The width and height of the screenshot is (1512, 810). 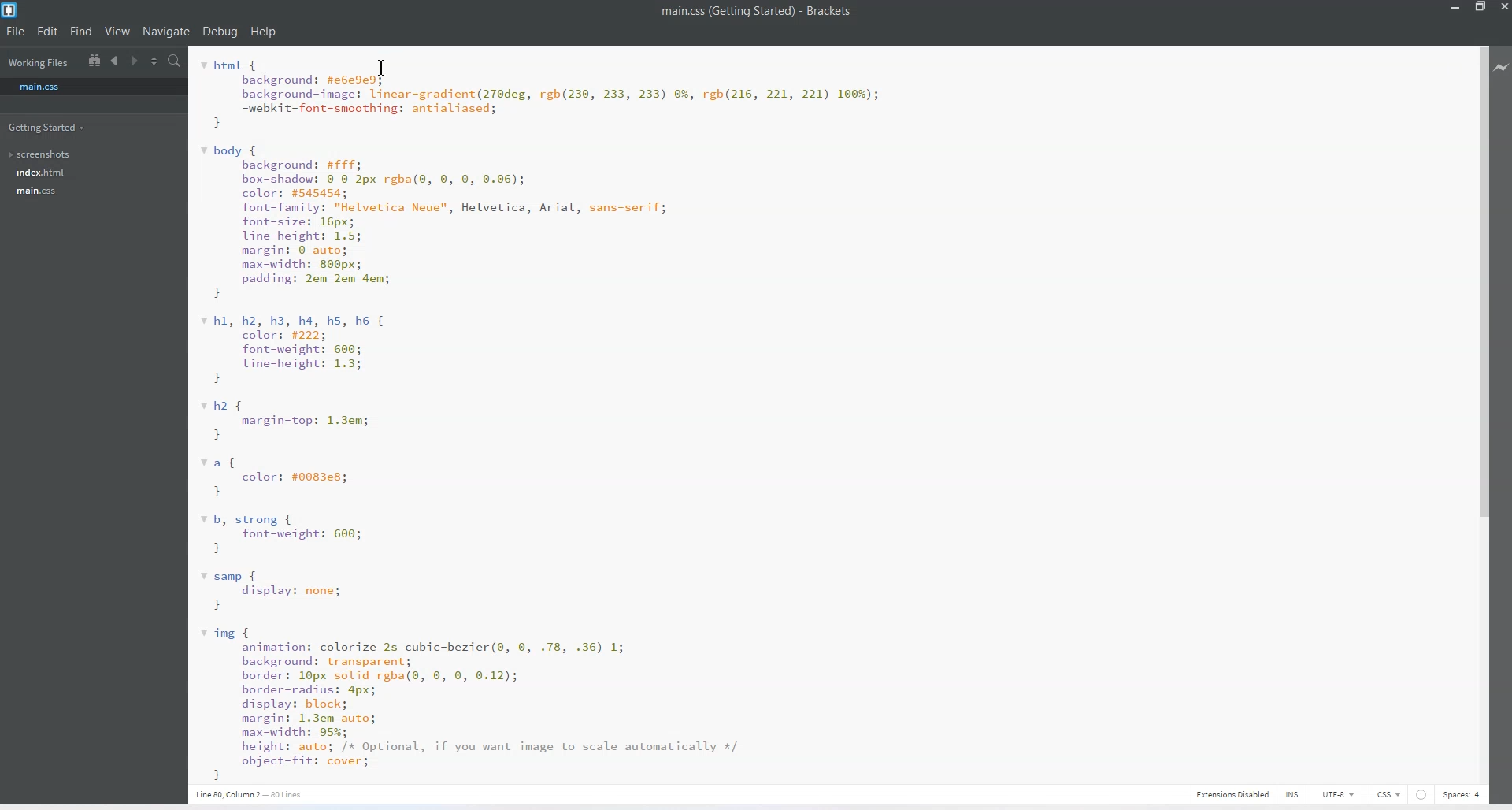 What do you see at coordinates (1479, 411) in the screenshot?
I see `Vertical Scroll Bar` at bounding box center [1479, 411].